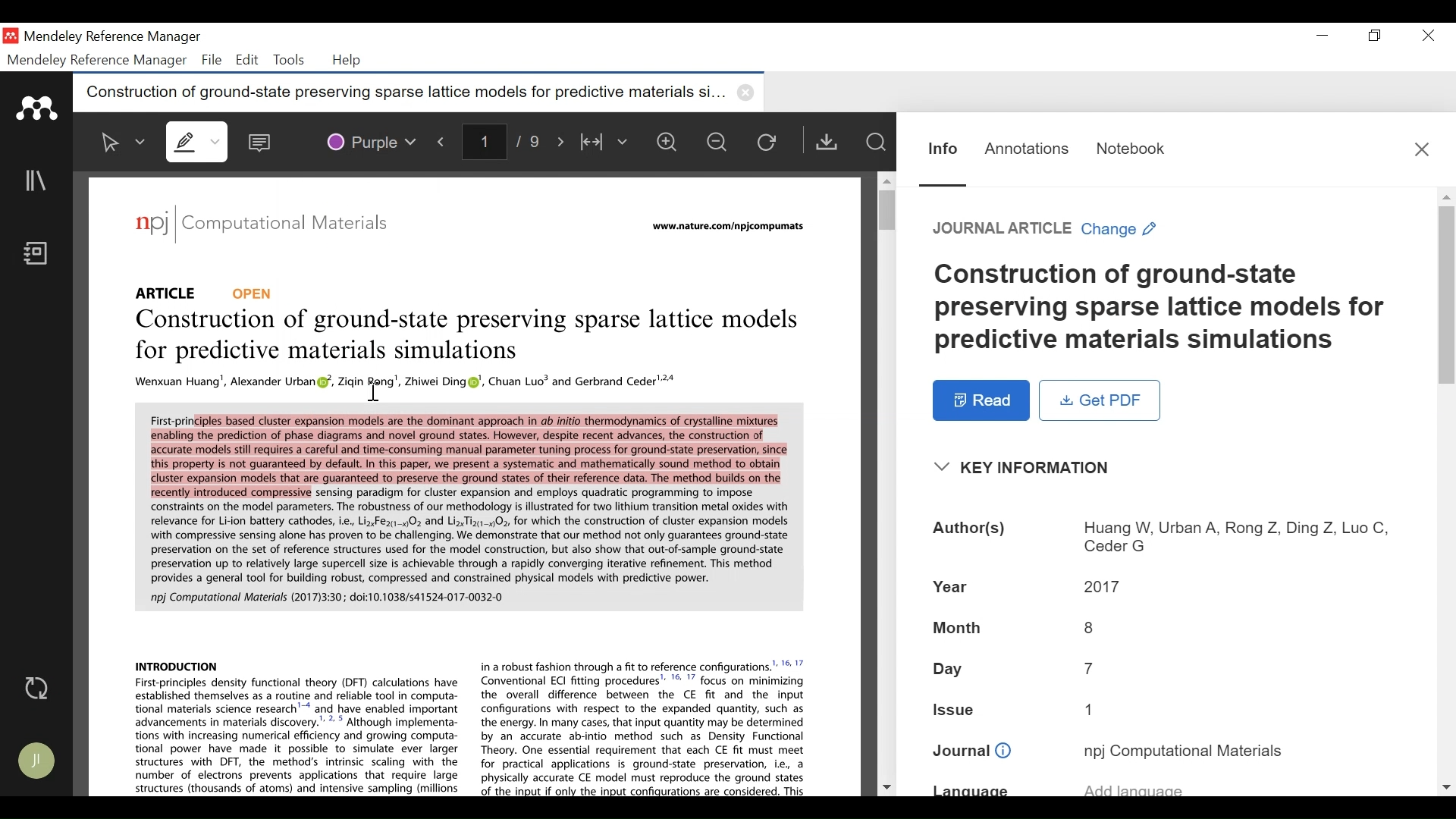 The image size is (1456, 819). What do you see at coordinates (35, 761) in the screenshot?
I see `Avatar` at bounding box center [35, 761].